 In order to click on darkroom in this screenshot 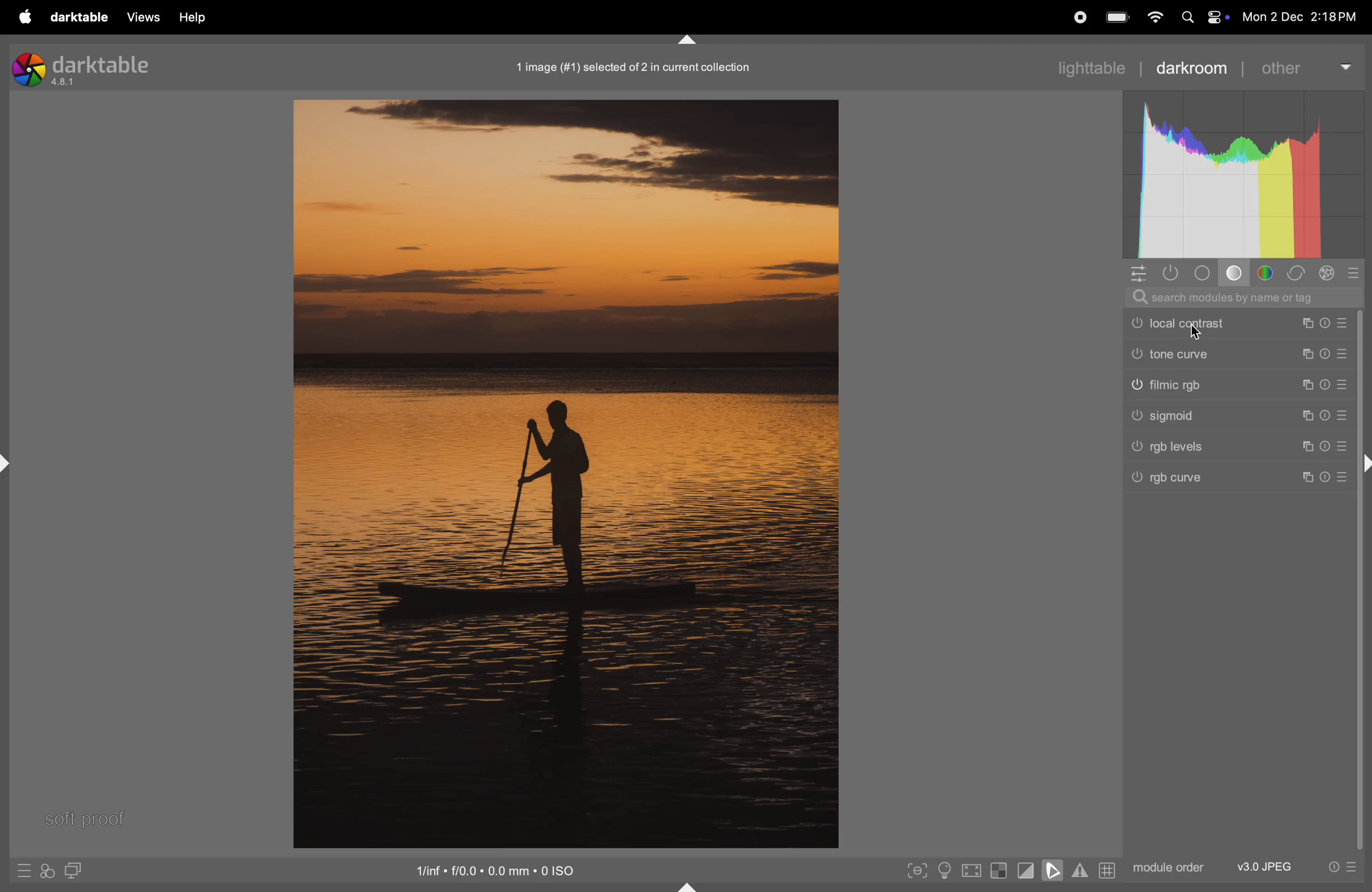, I will do `click(1192, 67)`.